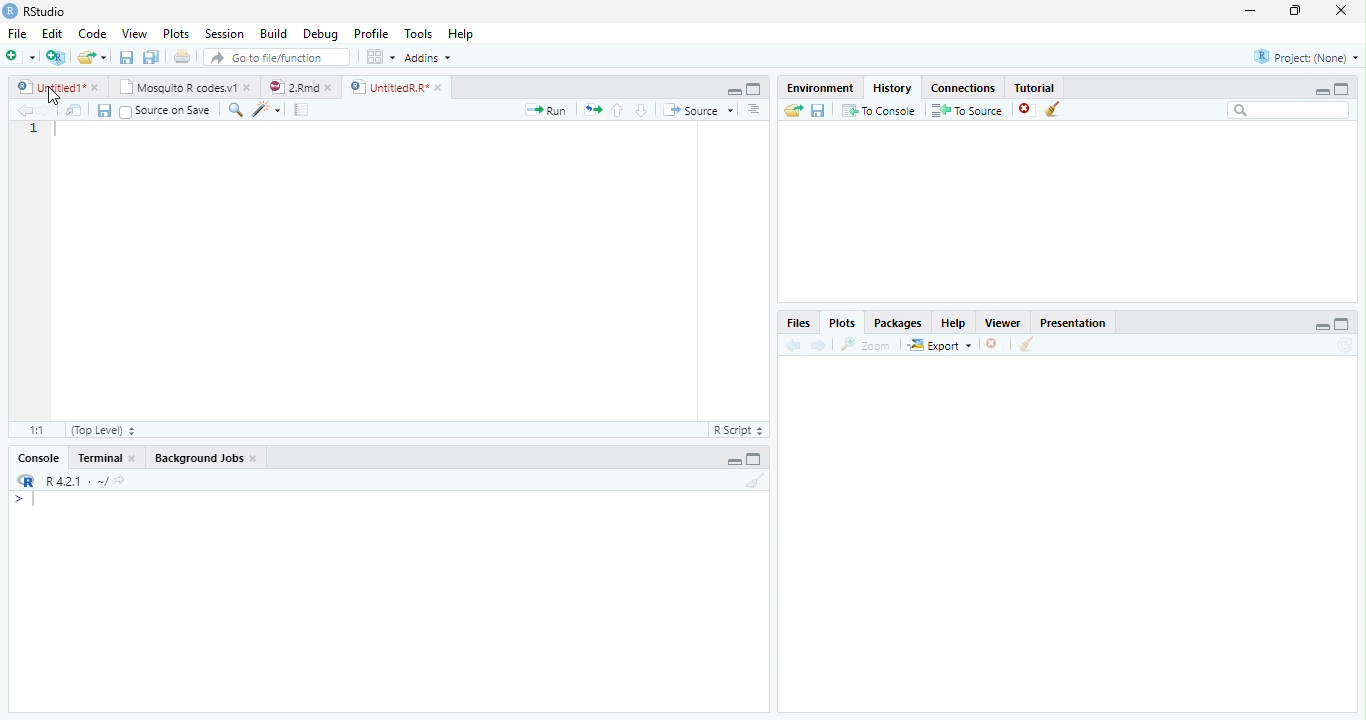 The image size is (1366, 720). Describe the element at coordinates (268, 110) in the screenshot. I see `Code ` at that location.